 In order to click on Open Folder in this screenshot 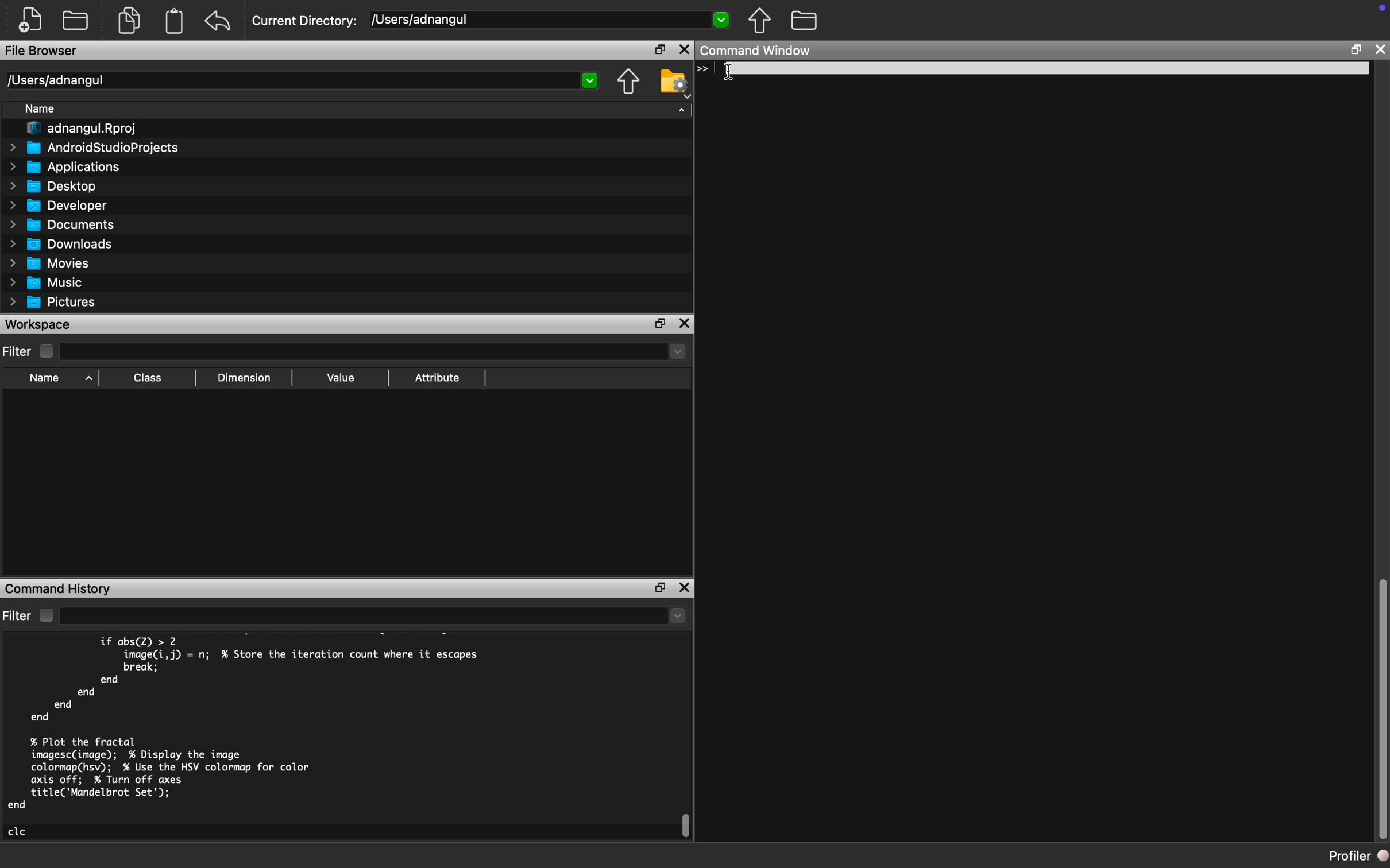, I will do `click(78, 18)`.